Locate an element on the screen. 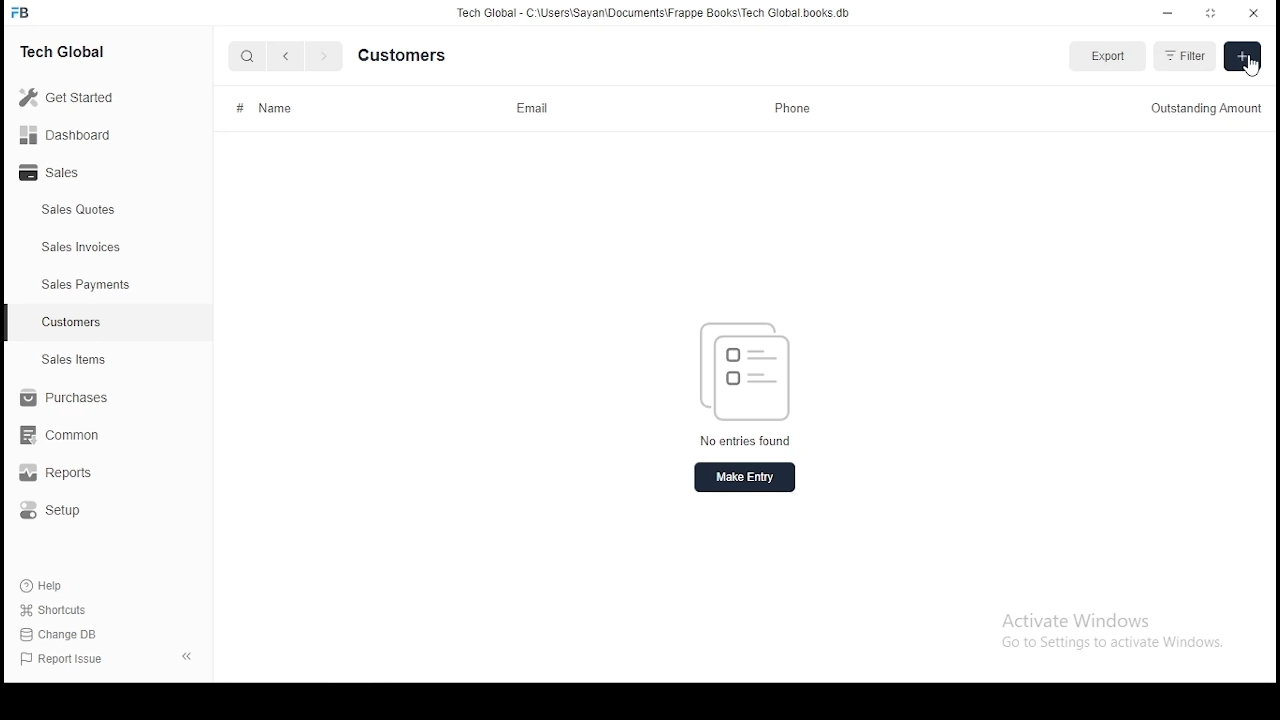 The height and width of the screenshot is (720, 1280). # is located at coordinates (240, 107).